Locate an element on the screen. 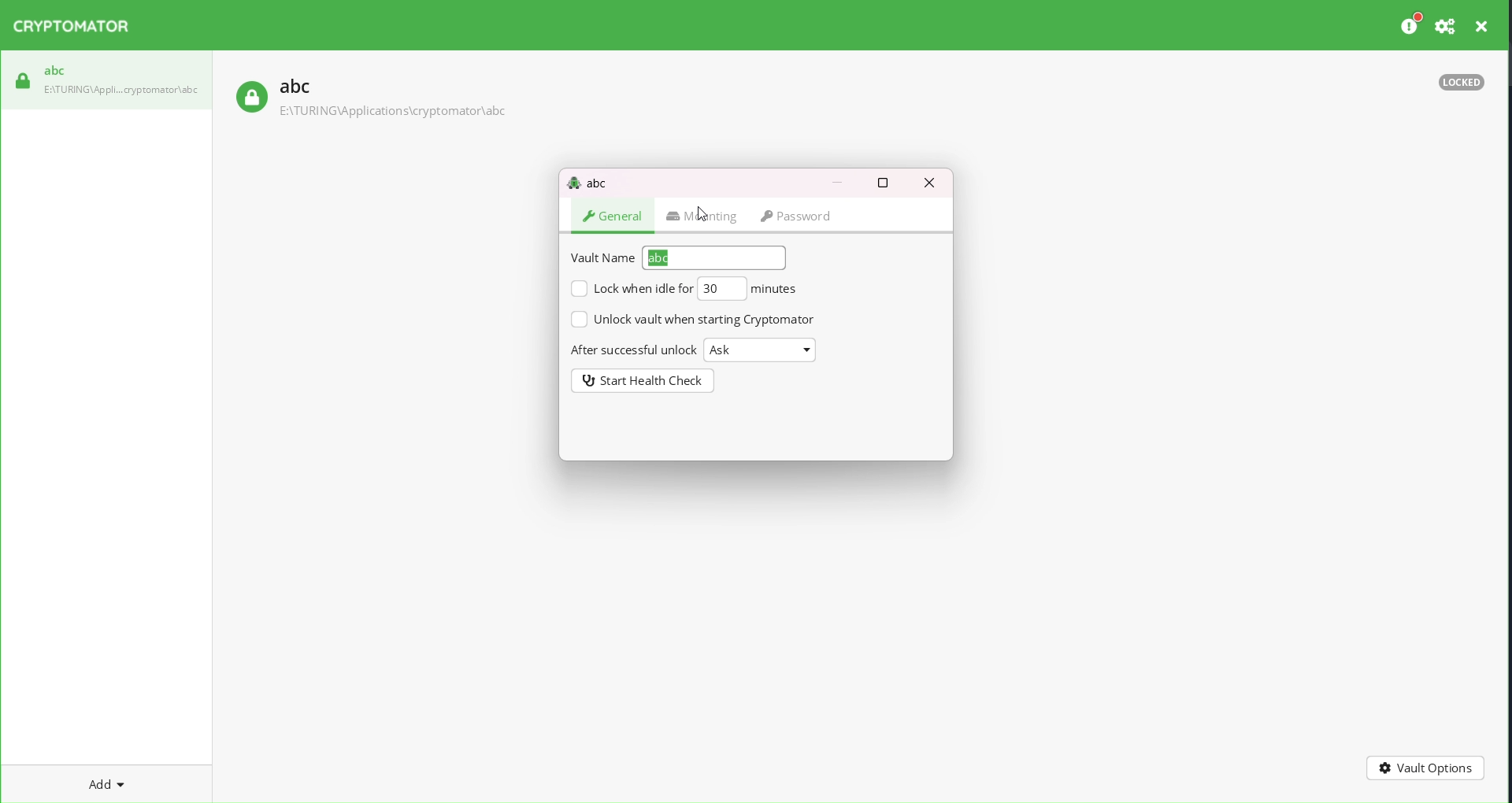  add is located at coordinates (97, 782).